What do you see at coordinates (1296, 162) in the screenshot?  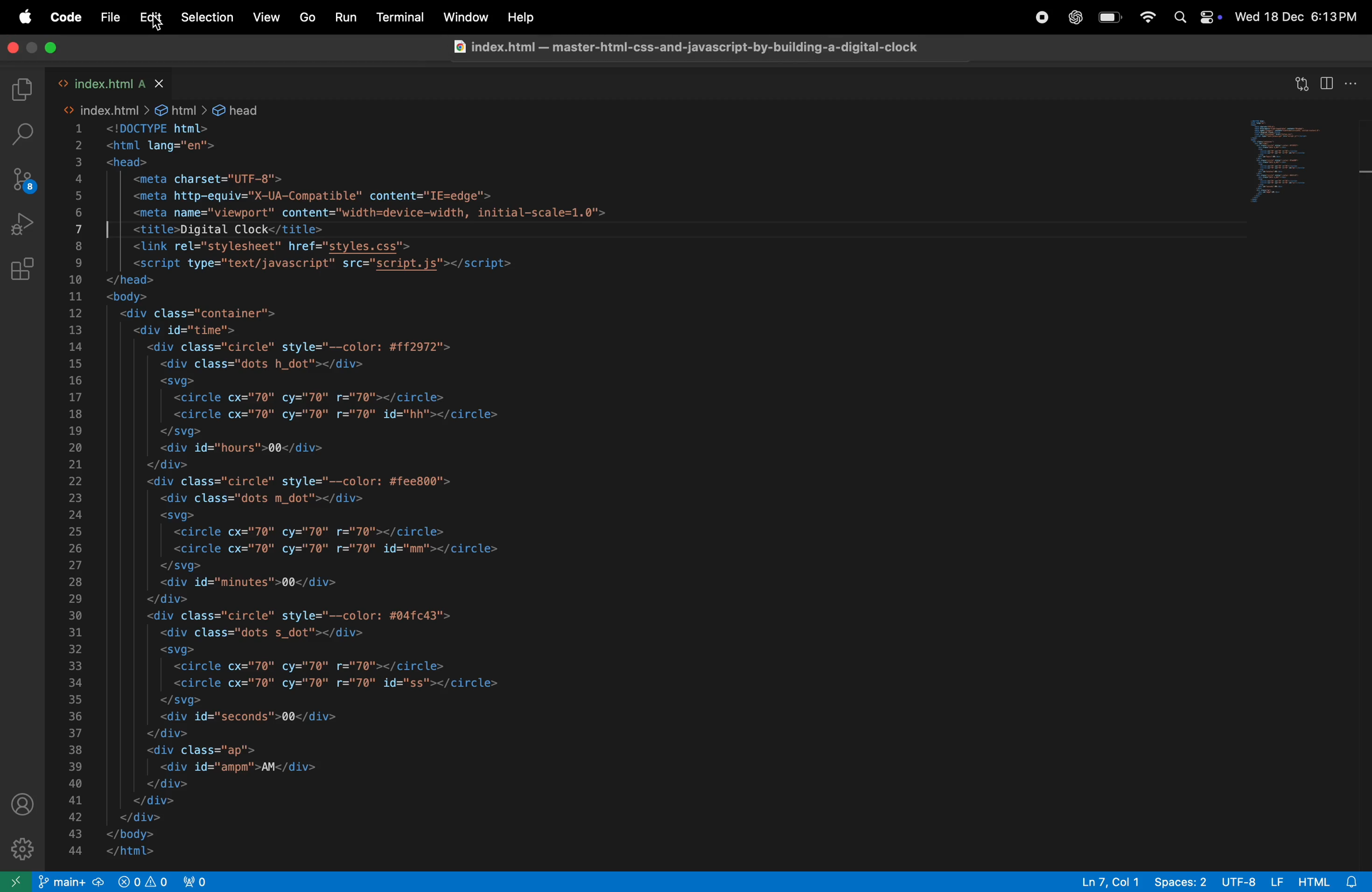 I see `code window` at bounding box center [1296, 162].